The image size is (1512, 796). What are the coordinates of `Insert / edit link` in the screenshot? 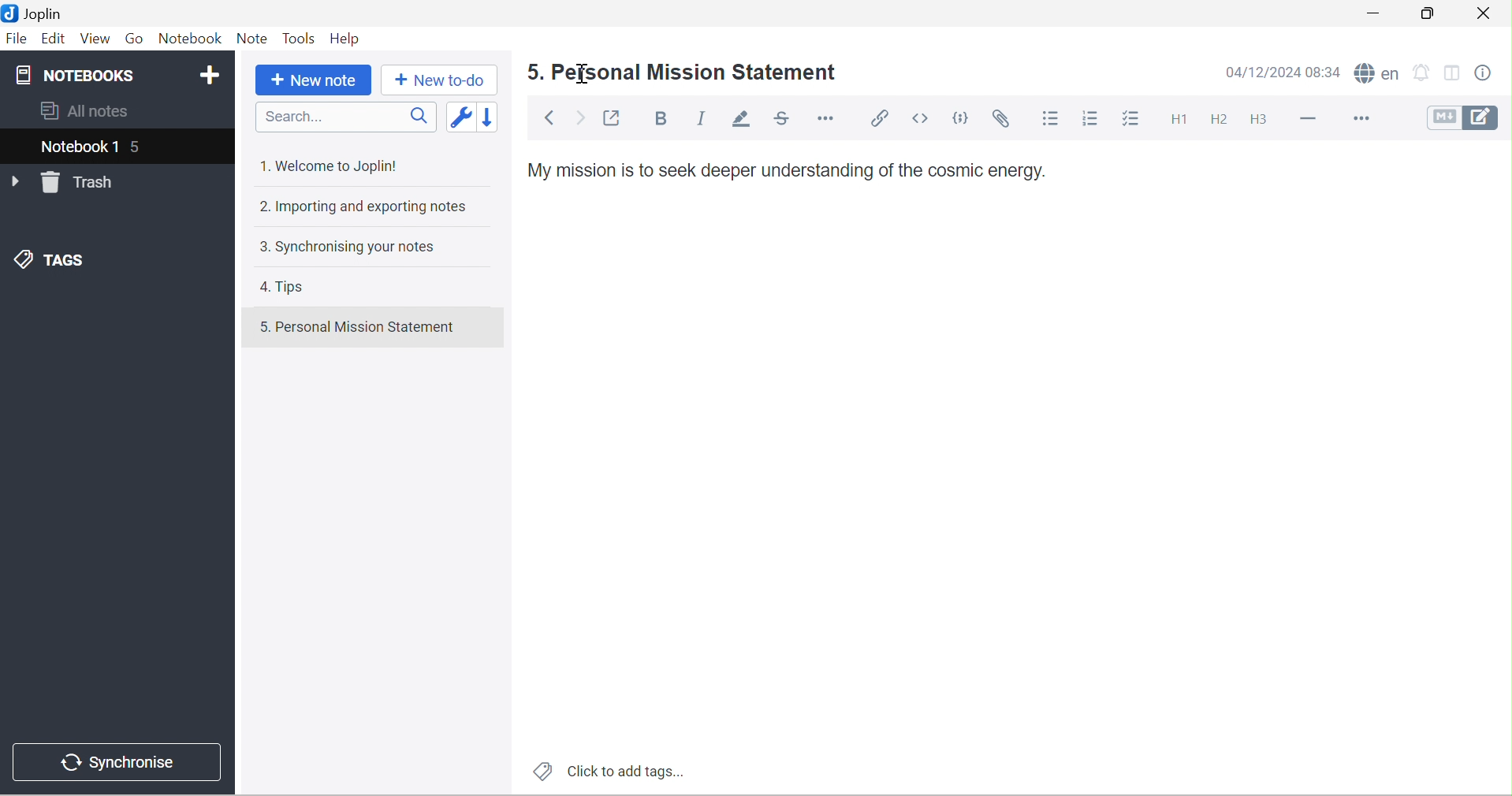 It's located at (879, 117).